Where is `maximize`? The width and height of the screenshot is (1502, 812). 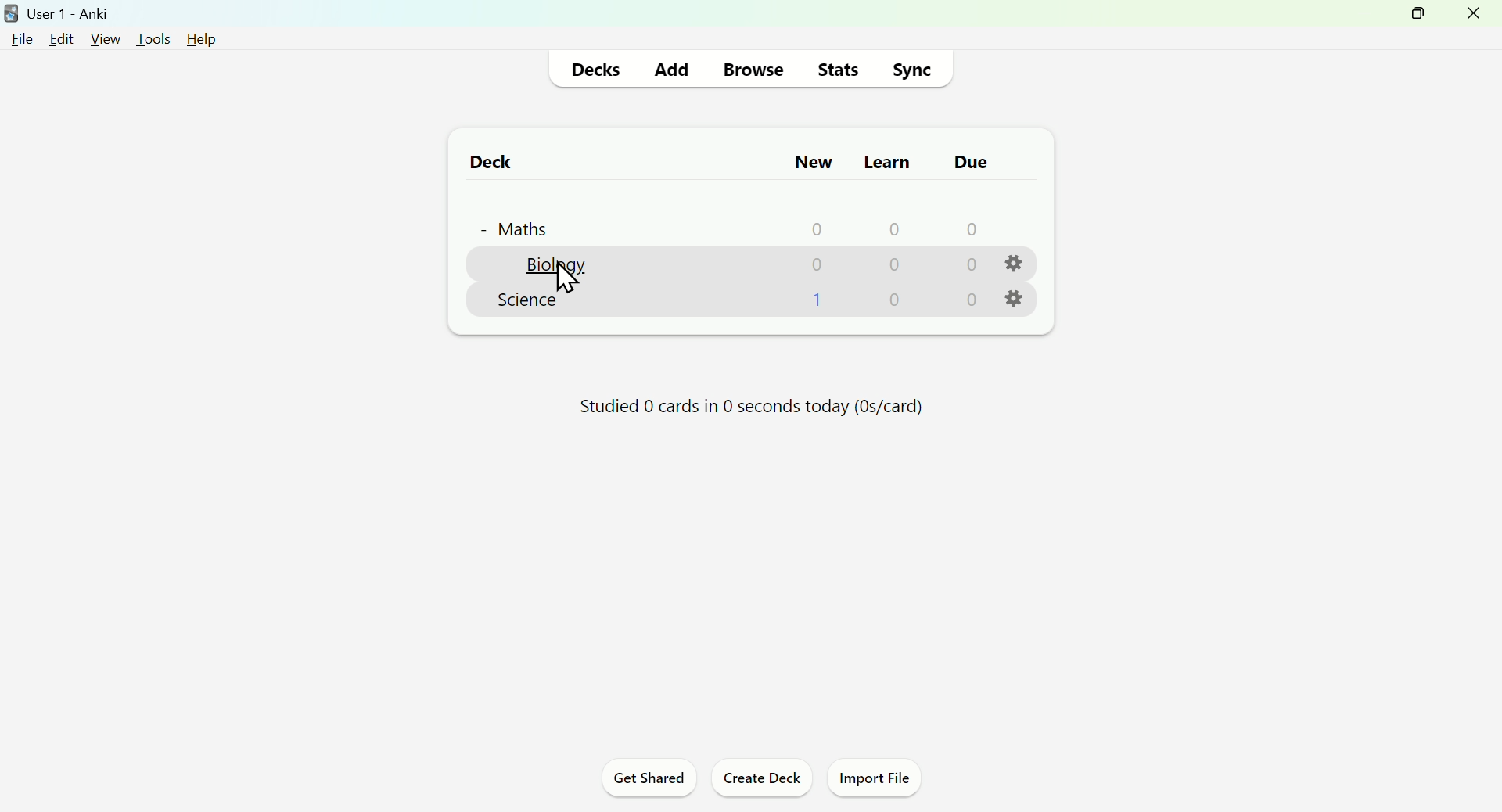
maximize is located at coordinates (1416, 14).